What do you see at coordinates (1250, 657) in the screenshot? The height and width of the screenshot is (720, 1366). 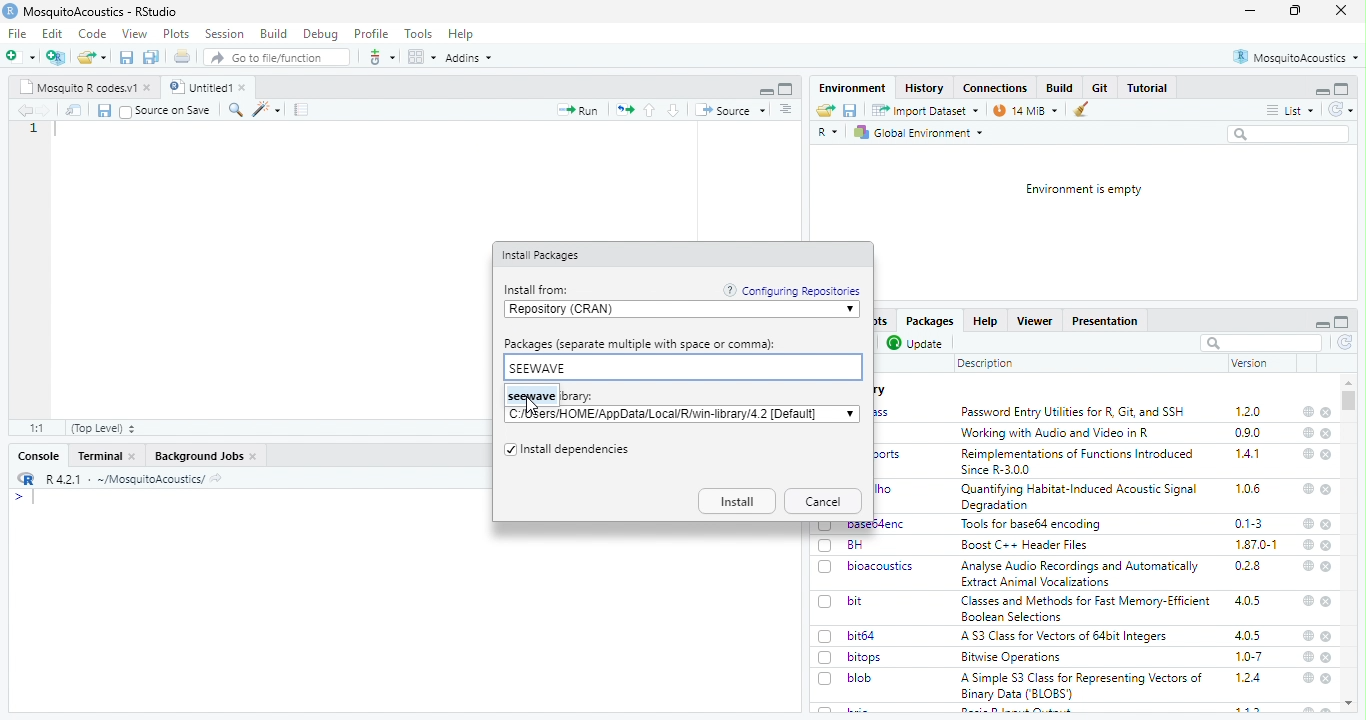 I see `10-7` at bounding box center [1250, 657].